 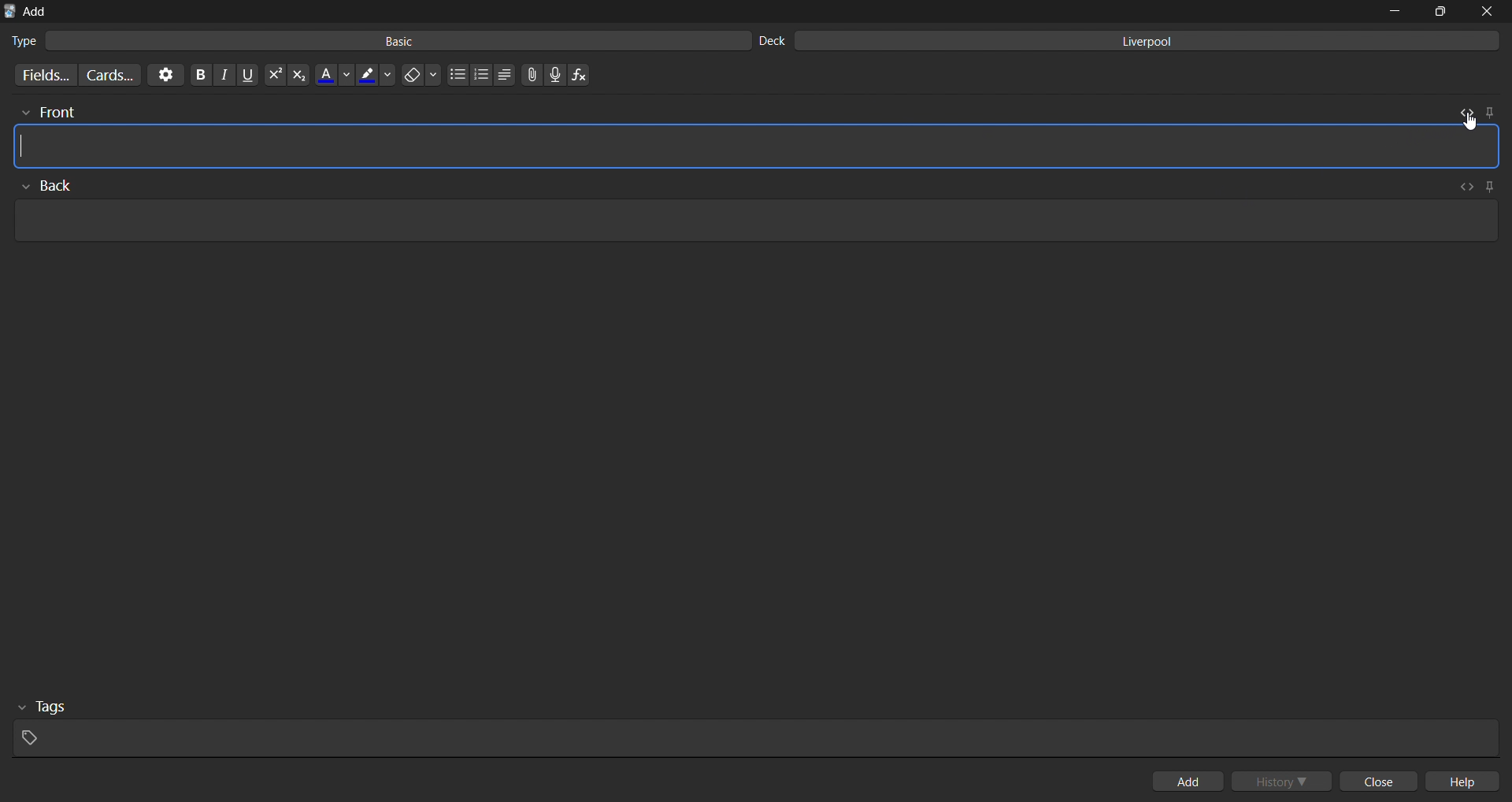 I want to click on back, so click(x=56, y=187).